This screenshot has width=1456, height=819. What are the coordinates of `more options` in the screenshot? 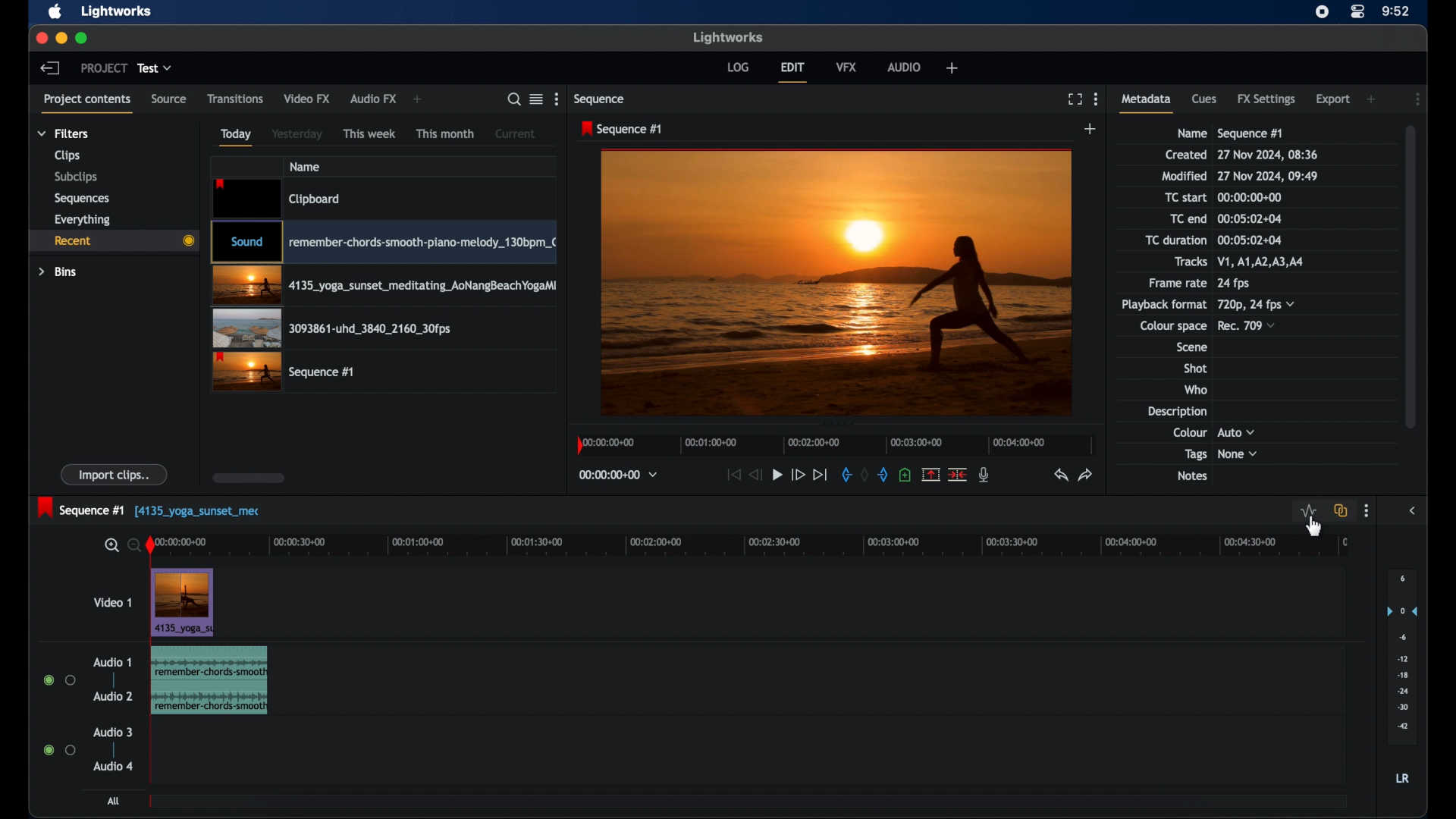 It's located at (1418, 99).